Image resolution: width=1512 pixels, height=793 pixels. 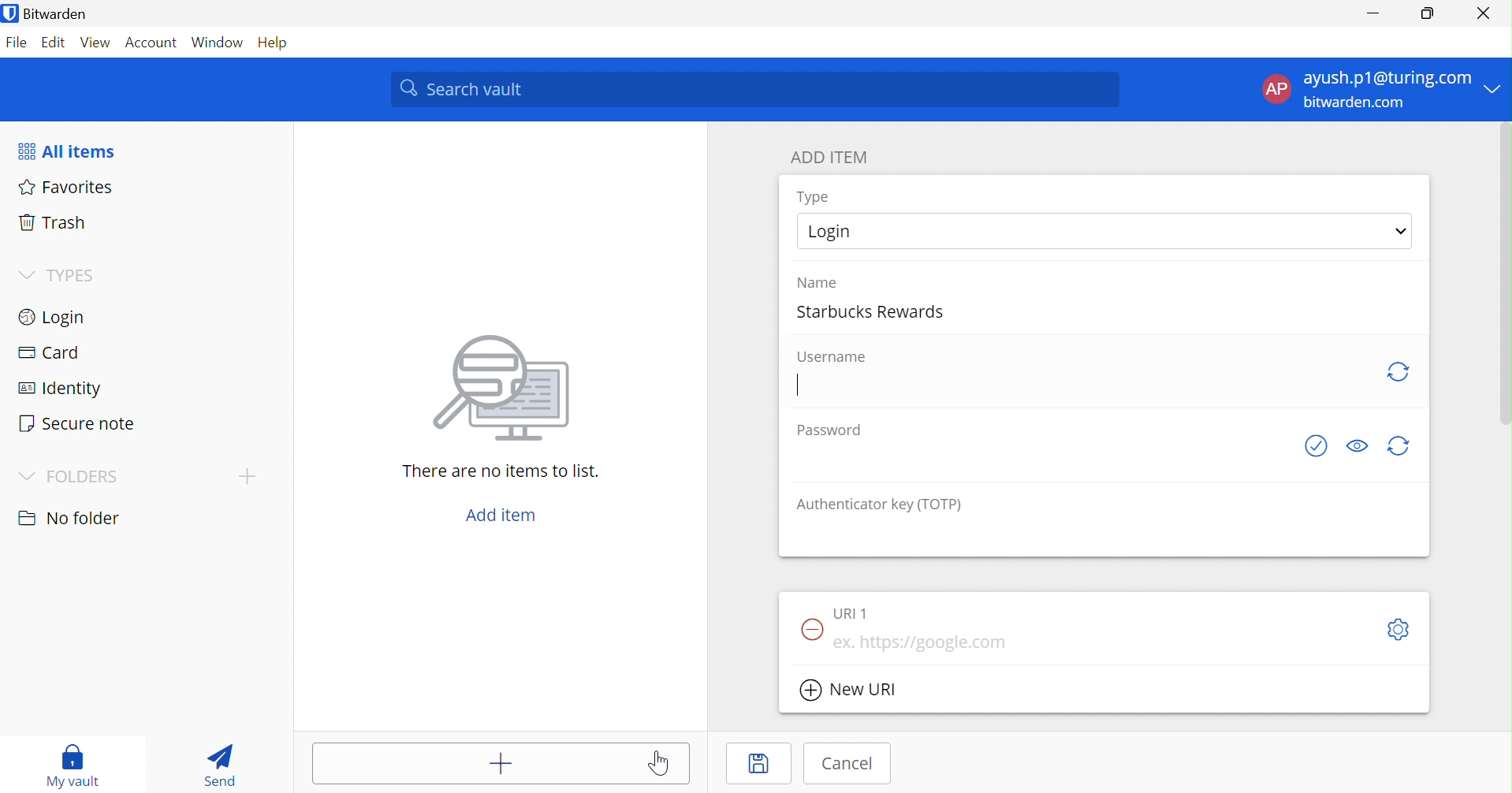 I want to click on Remove, so click(x=809, y=631).